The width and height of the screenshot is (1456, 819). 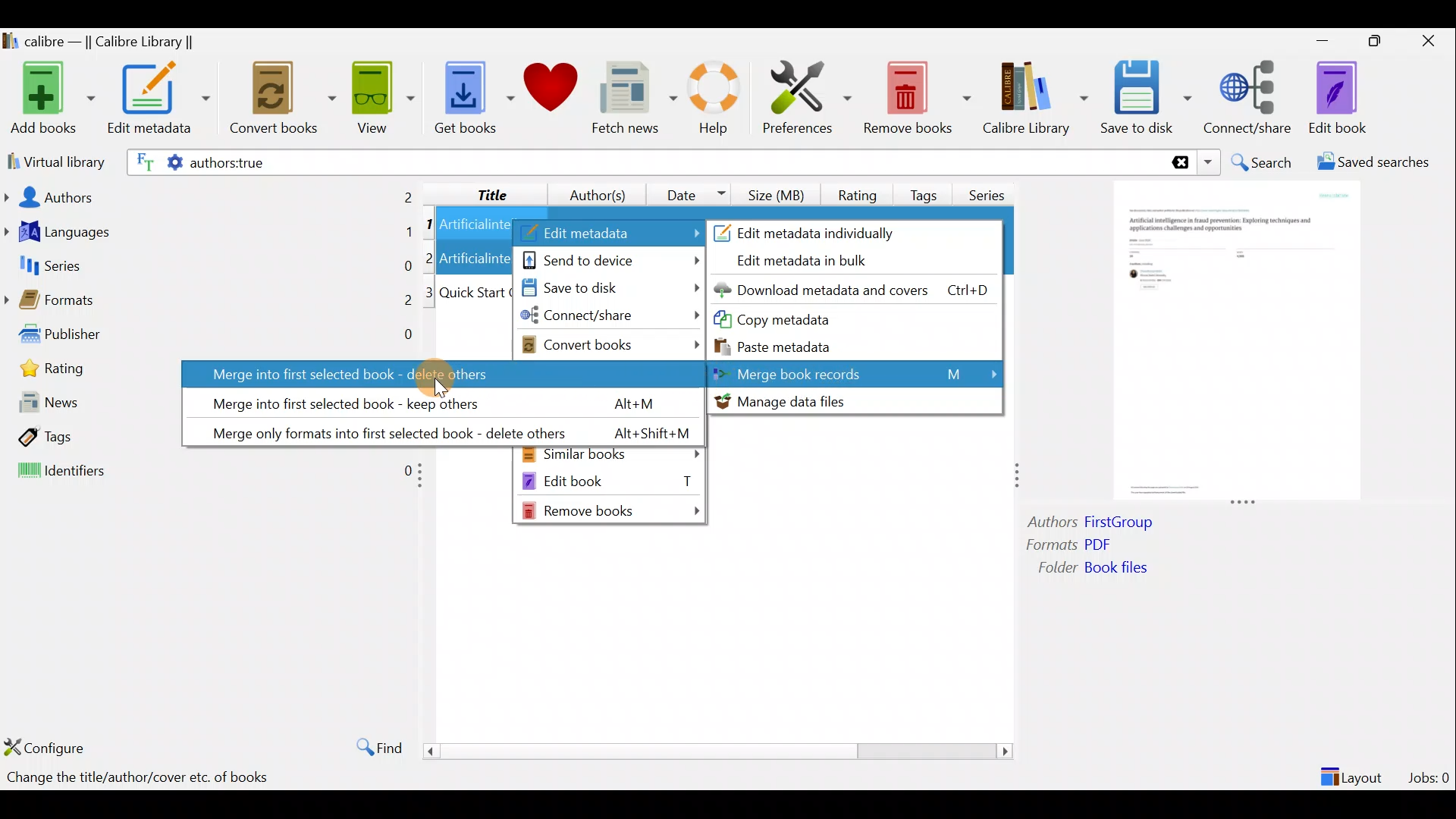 I want to click on Edit metadata individually, so click(x=824, y=231).